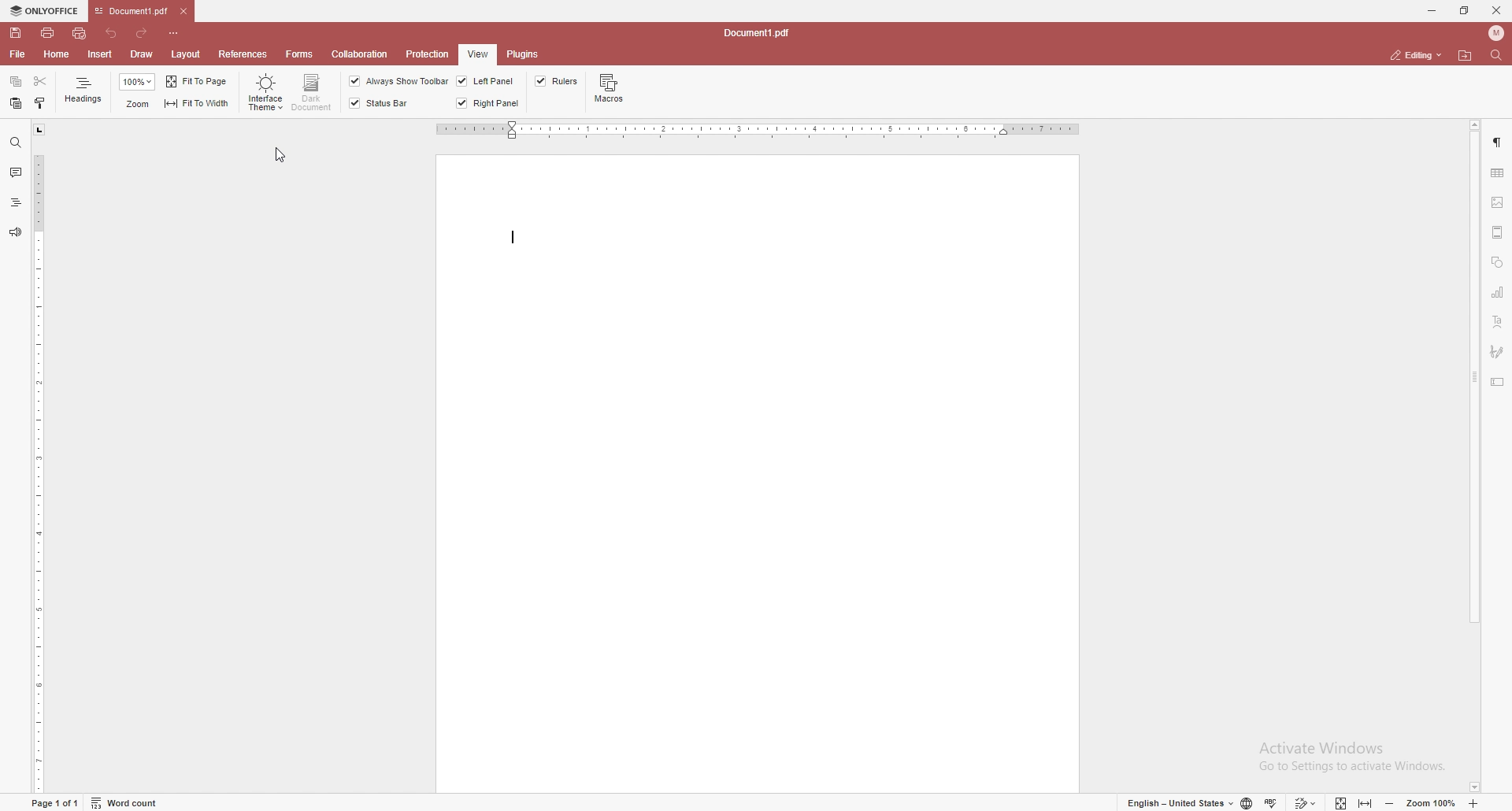 This screenshot has width=1512, height=811. I want to click on header and footer, so click(1496, 232).